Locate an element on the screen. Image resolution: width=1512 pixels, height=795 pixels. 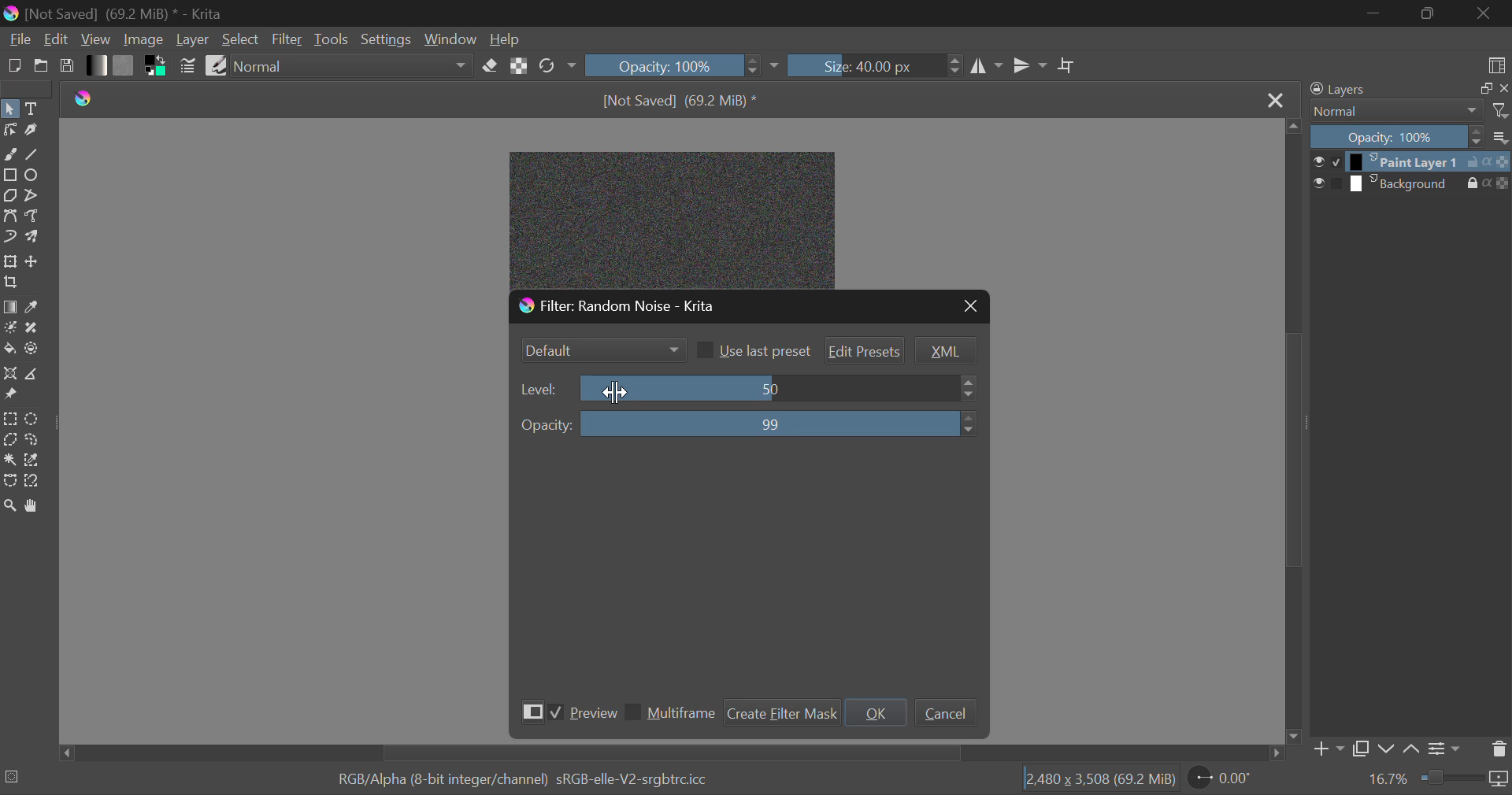
Line is located at coordinates (33, 156).